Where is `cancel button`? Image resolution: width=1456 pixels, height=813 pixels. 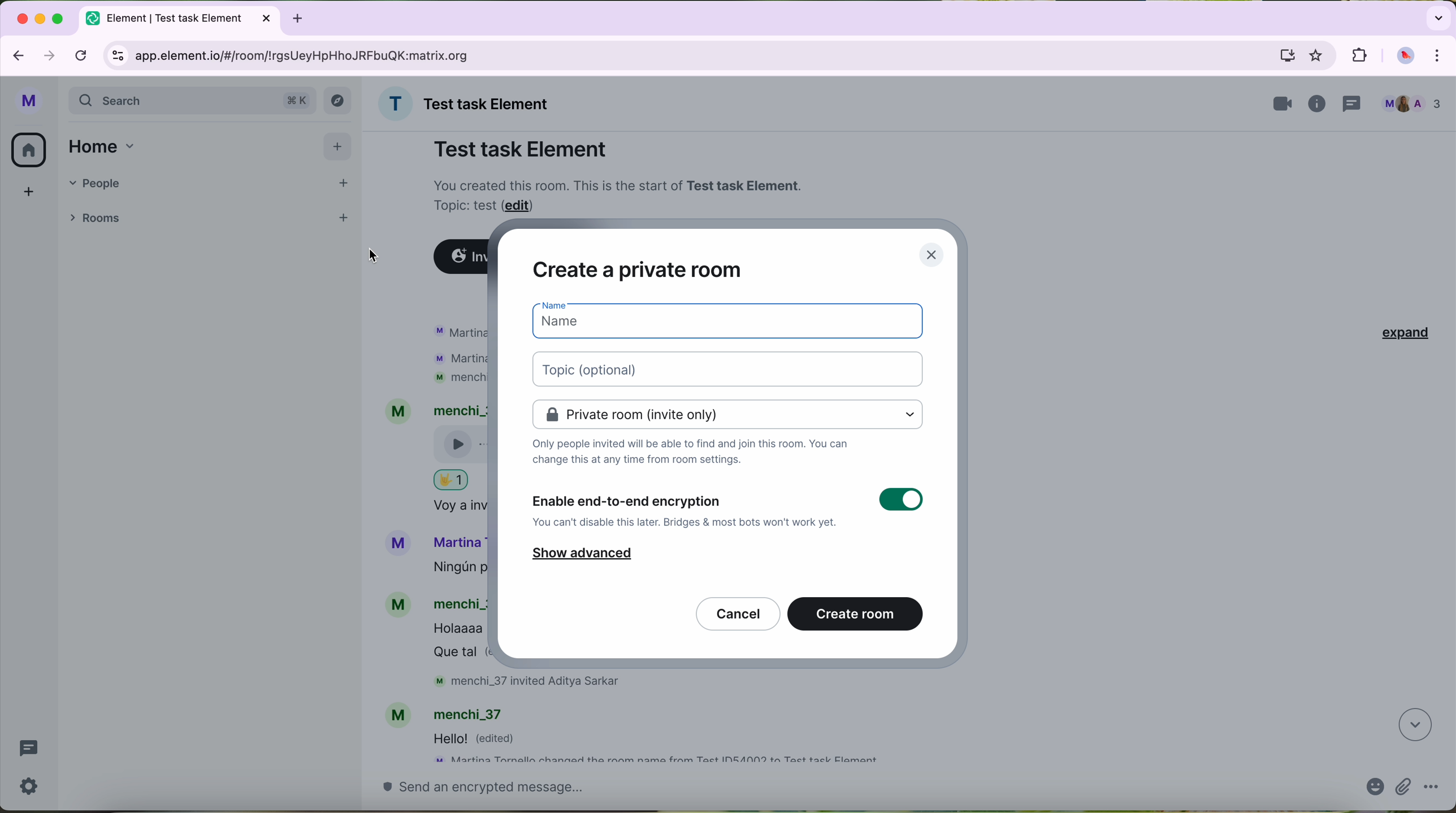
cancel button is located at coordinates (738, 613).